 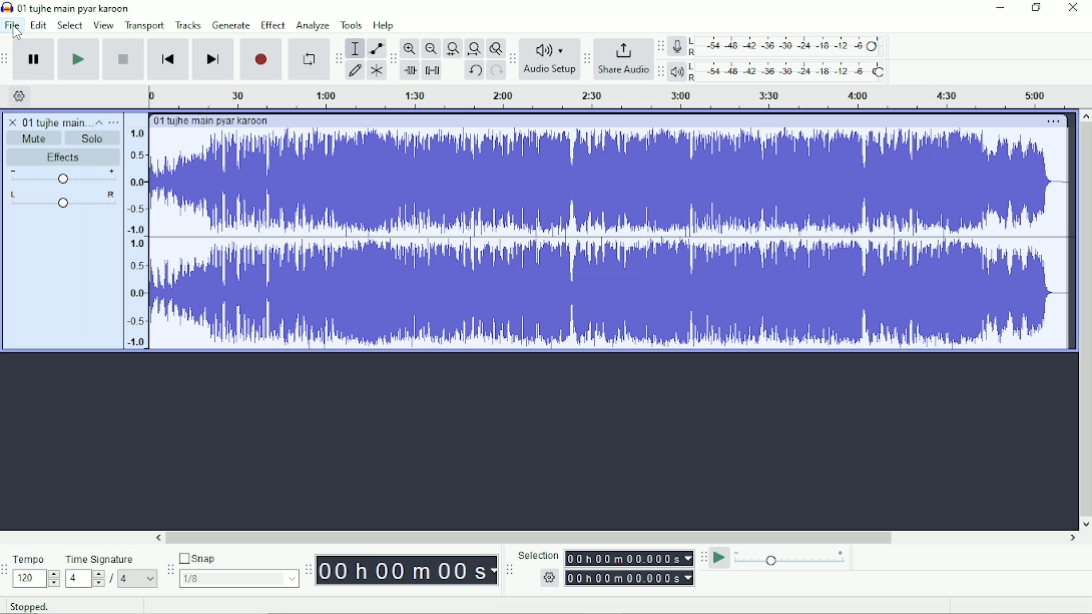 What do you see at coordinates (170, 570) in the screenshot?
I see `Audacity snapping toolbar` at bounding box center [170, 570].